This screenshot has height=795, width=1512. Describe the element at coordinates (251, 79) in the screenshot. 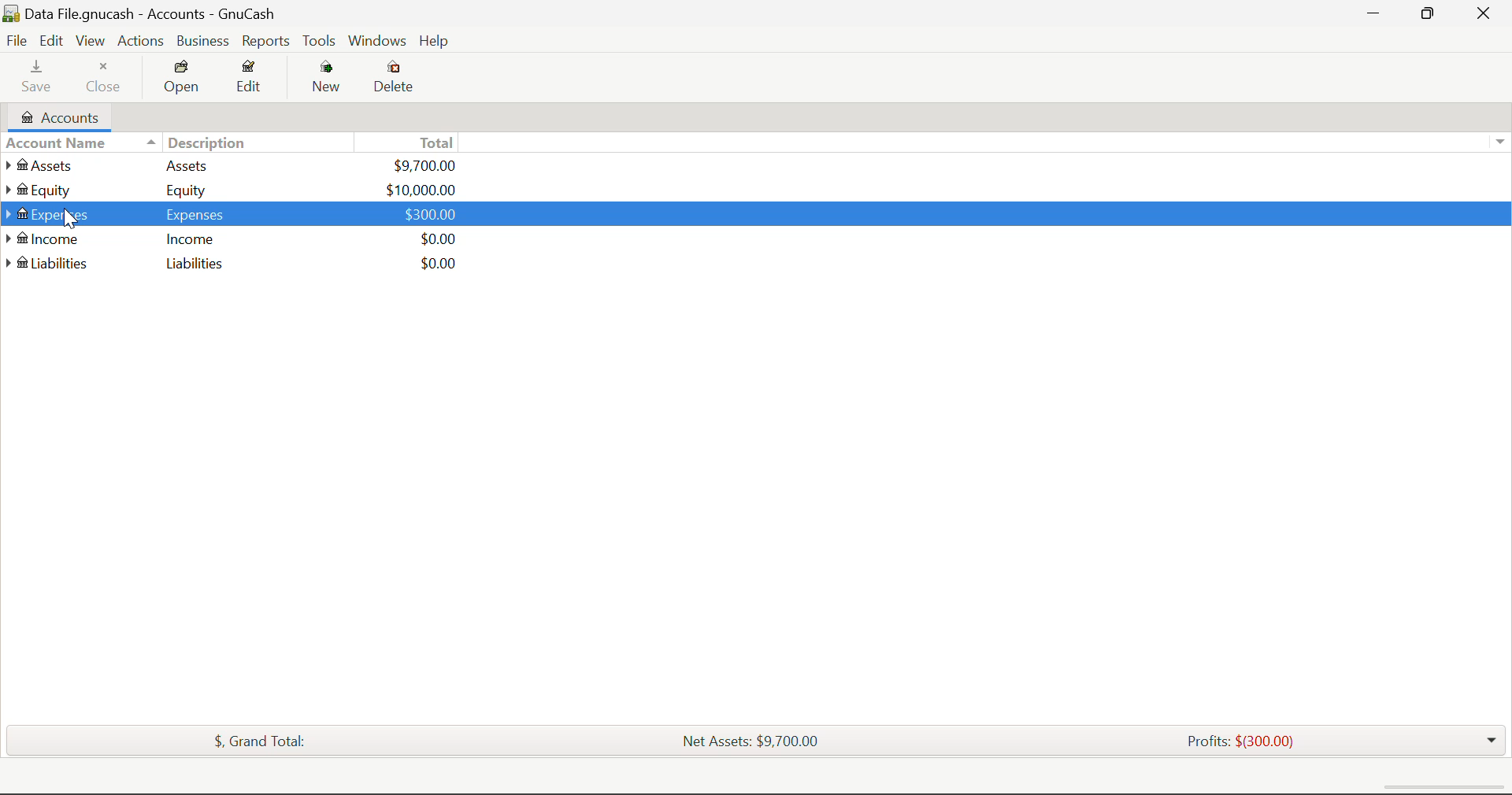

I see `Edit` at that location.